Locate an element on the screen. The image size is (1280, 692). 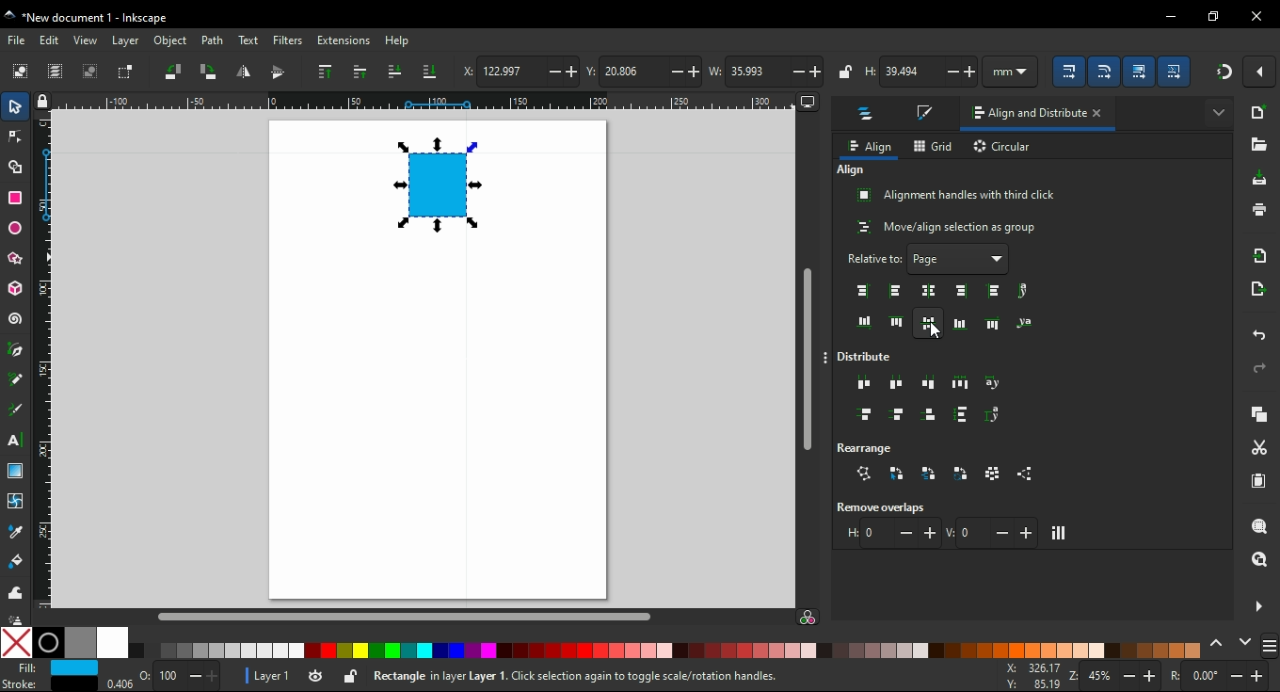
move objects as little as possible so that the bounding boxes do not overlap is located at coordinates (1060, 533).